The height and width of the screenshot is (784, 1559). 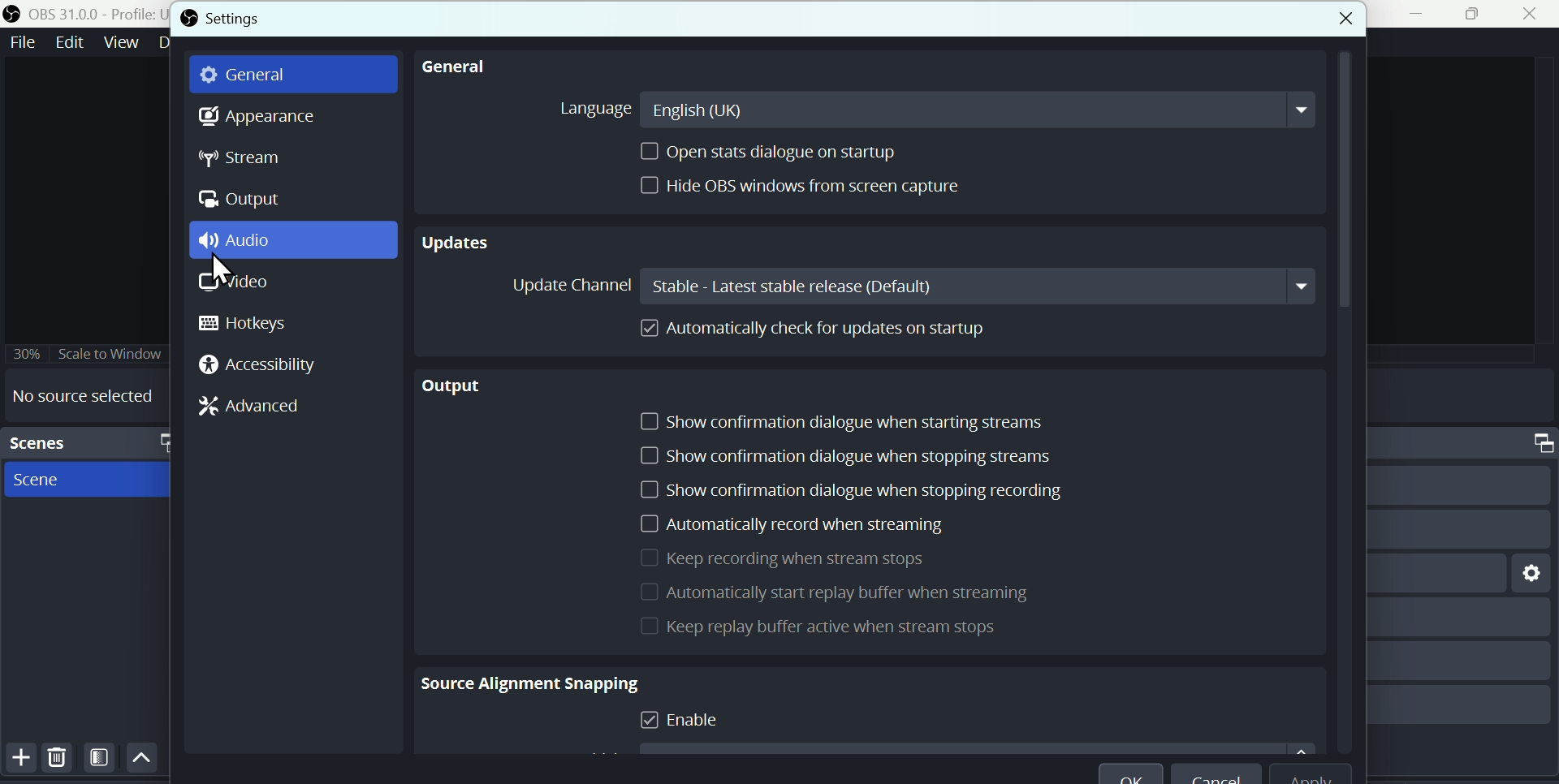 What do you see at coordinates (1138, 769) in the screenshot?
I see `O K` at bounding box center [1138, 769].